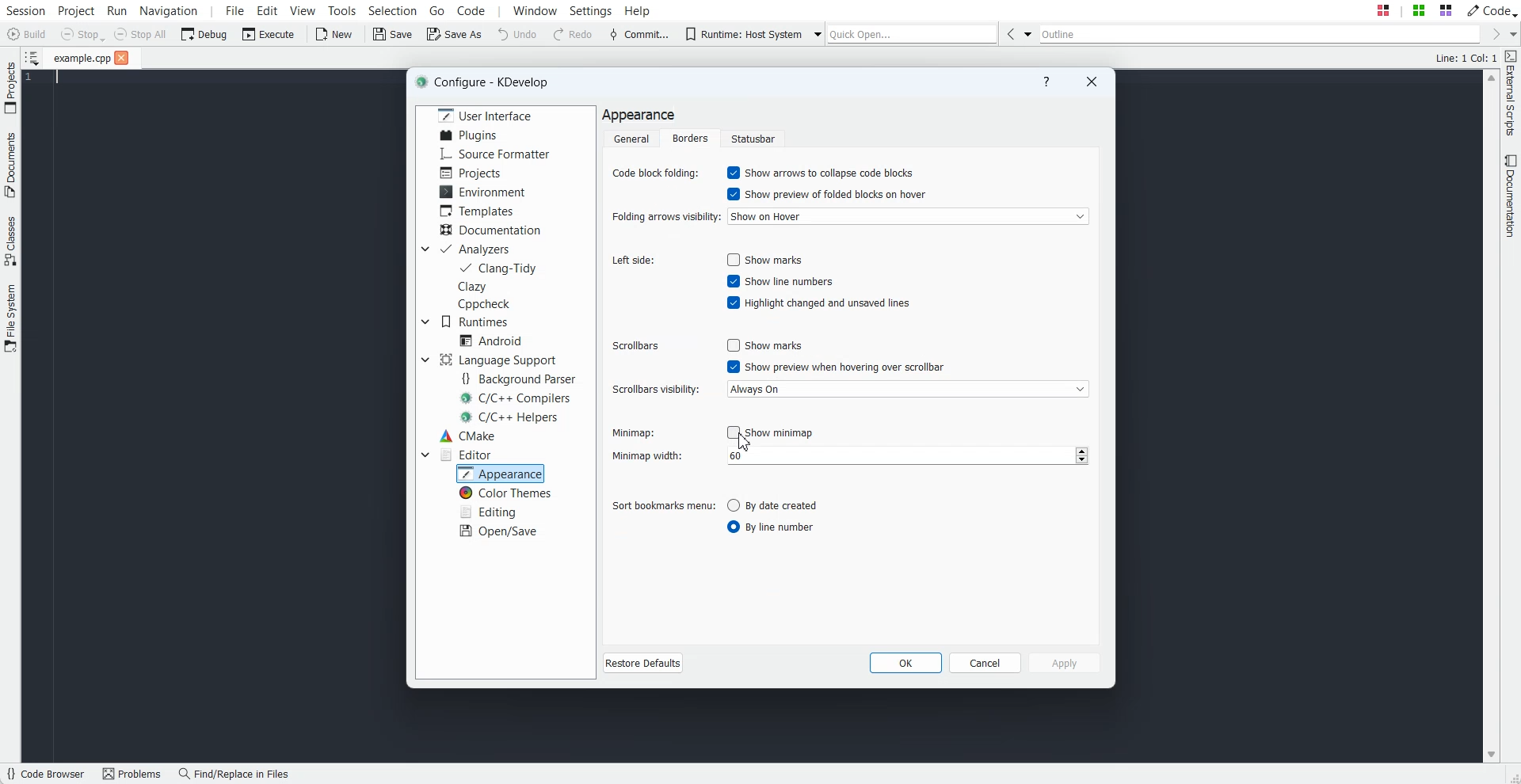 The width and height of the screenshot is (1521, 784). I want to click on Text Cursor, so click(51, 78).